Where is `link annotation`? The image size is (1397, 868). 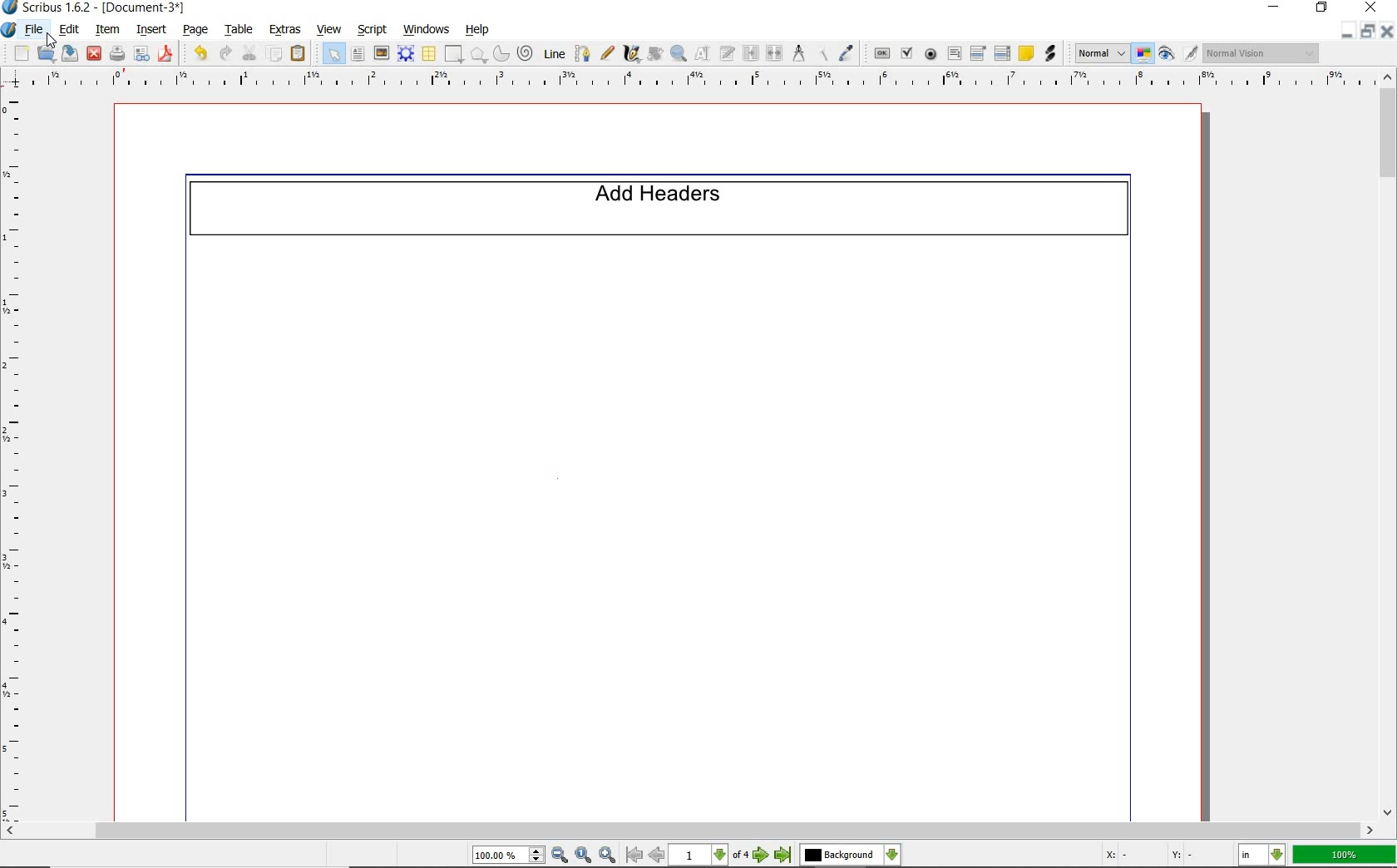
link annotation is located at coordinates (1053, 55).